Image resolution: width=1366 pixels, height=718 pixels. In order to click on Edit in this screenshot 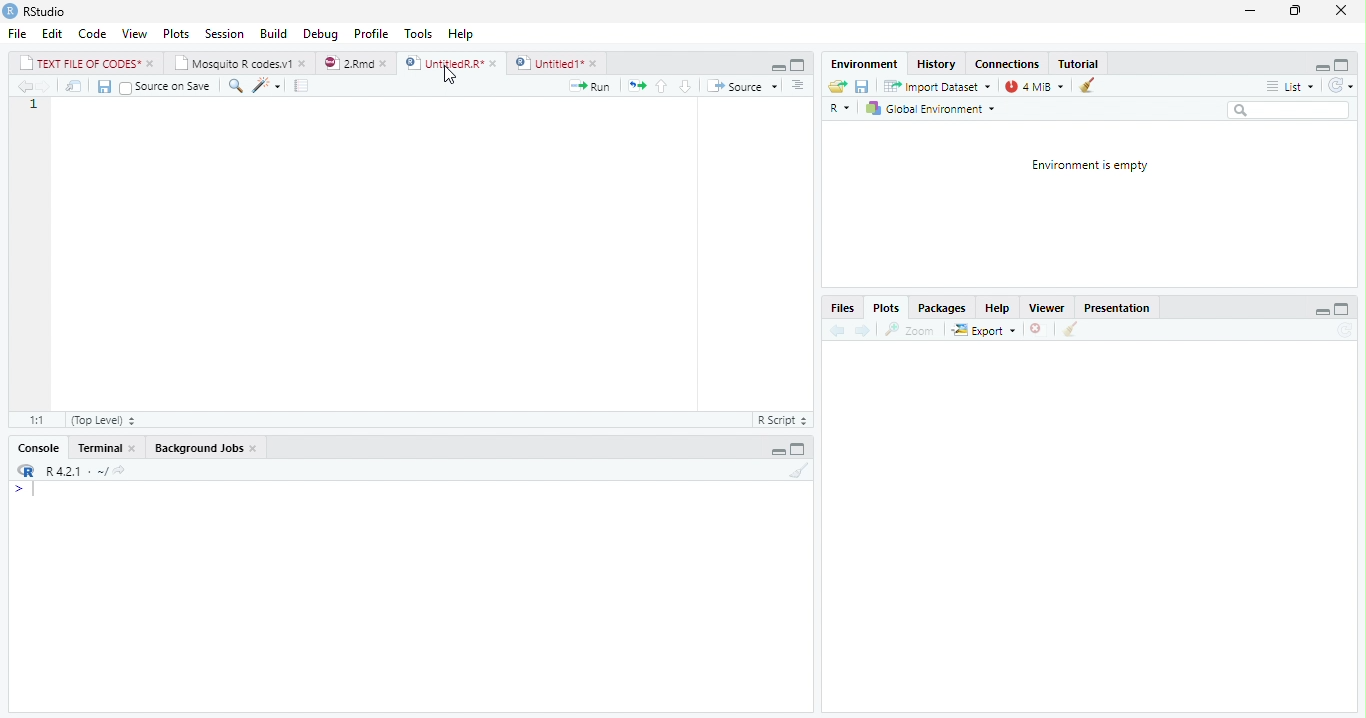, I will do `click(53, 34)`.